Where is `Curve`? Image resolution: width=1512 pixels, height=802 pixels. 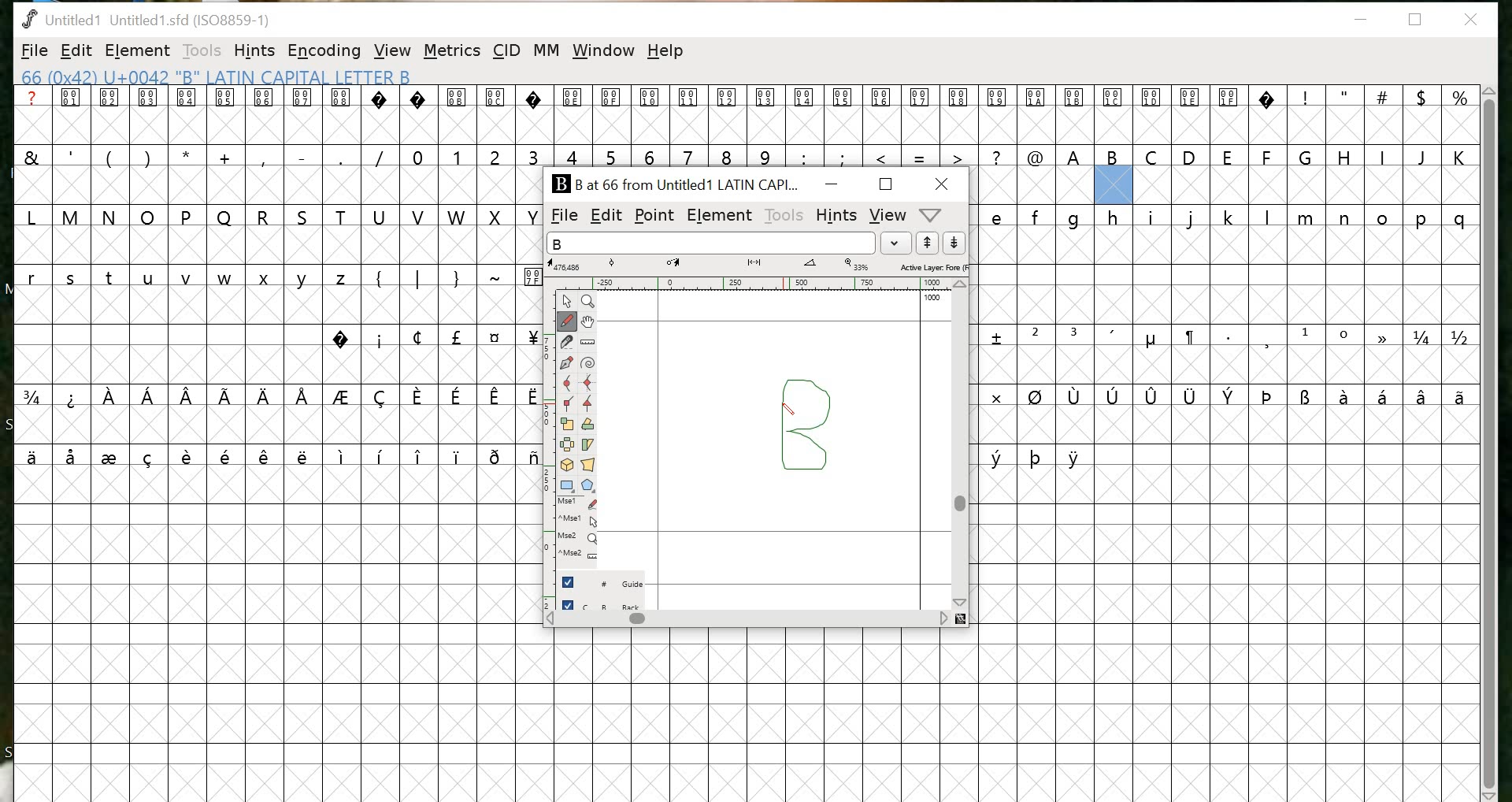
Curve is located at coordinates (569, 384).